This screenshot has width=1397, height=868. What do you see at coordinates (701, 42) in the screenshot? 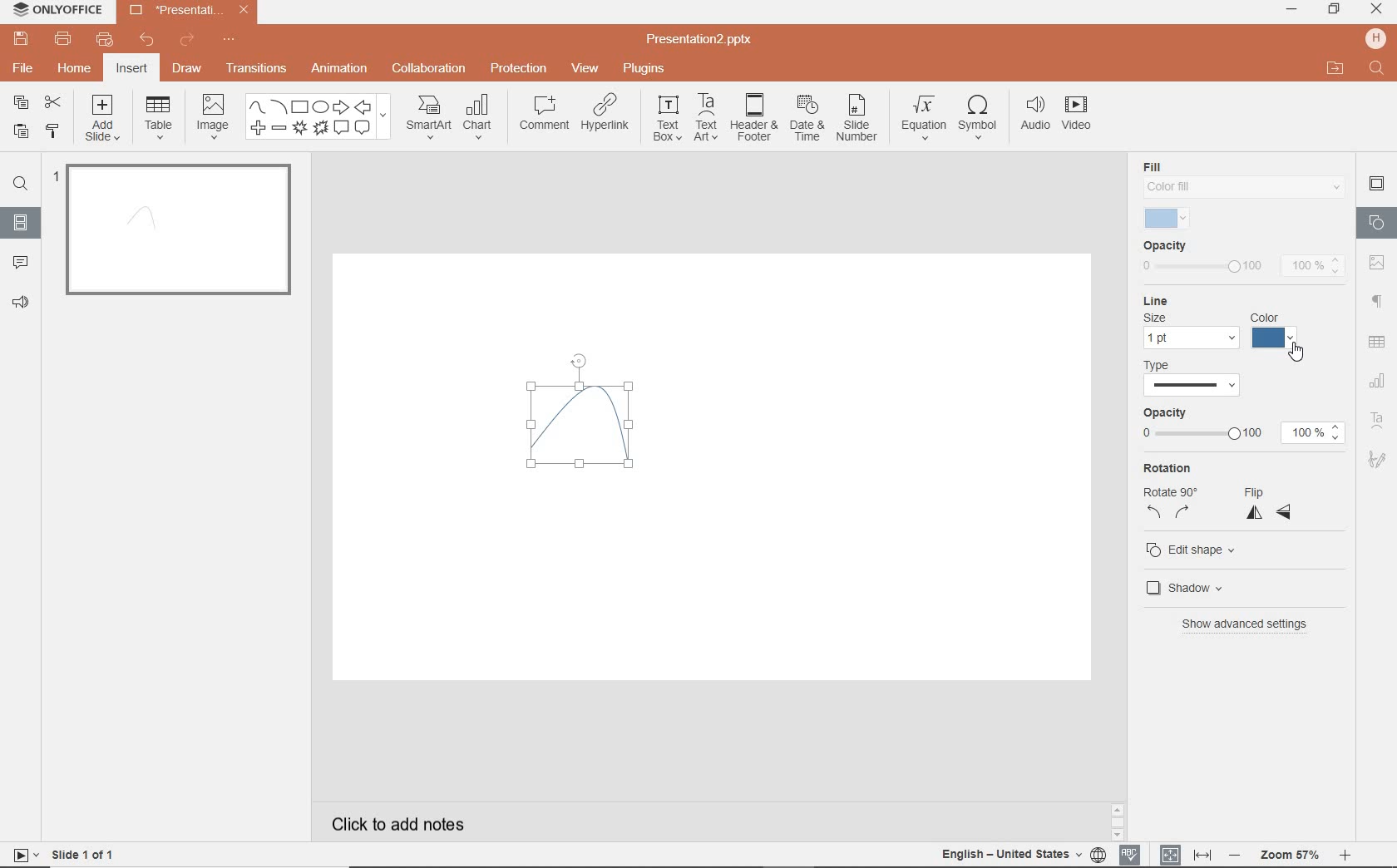
I see `Presentation2.pptx` at bounding box center [701, 42].